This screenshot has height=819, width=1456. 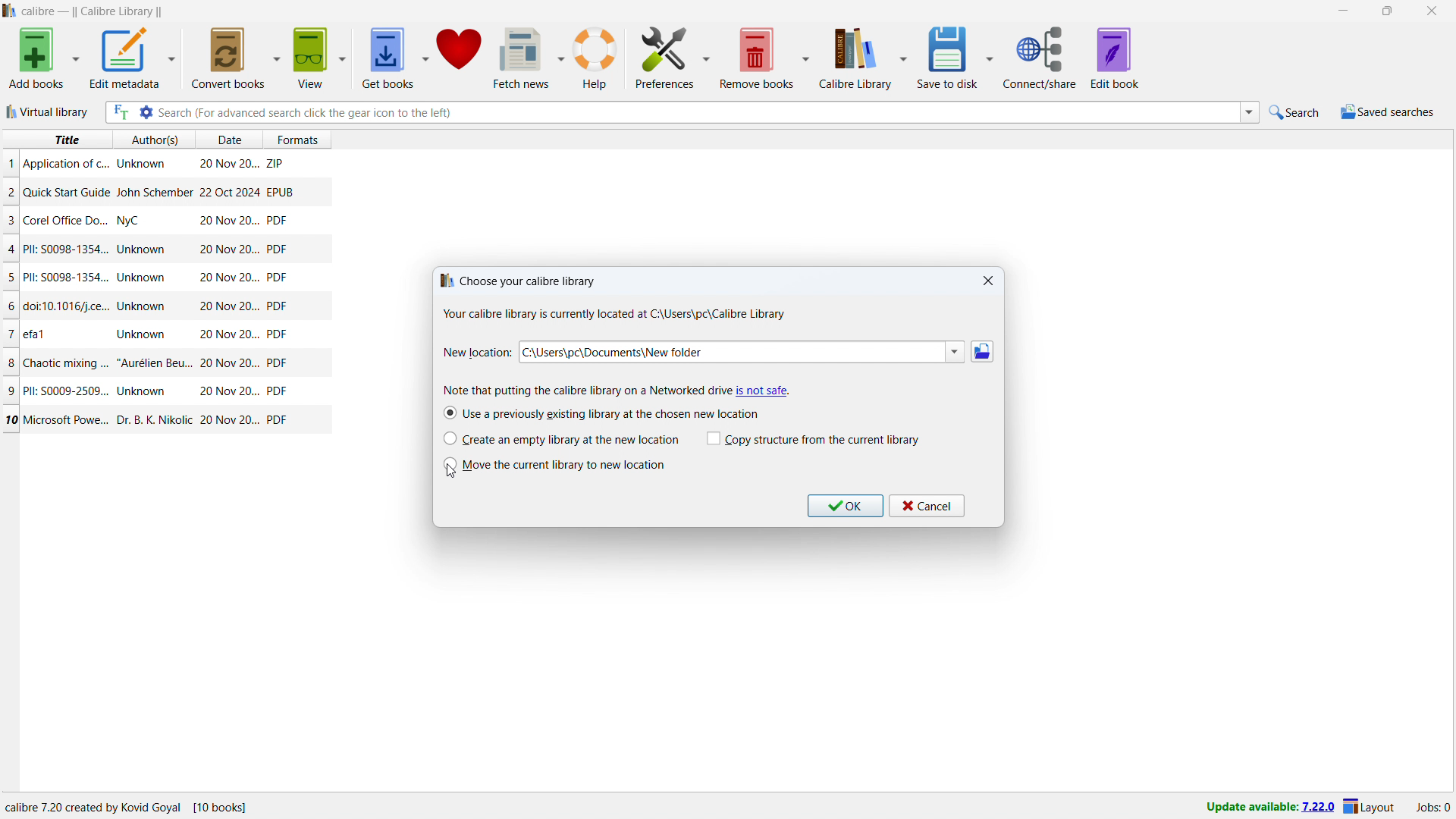 I want to click on add books options, so click(x=76, y=58).